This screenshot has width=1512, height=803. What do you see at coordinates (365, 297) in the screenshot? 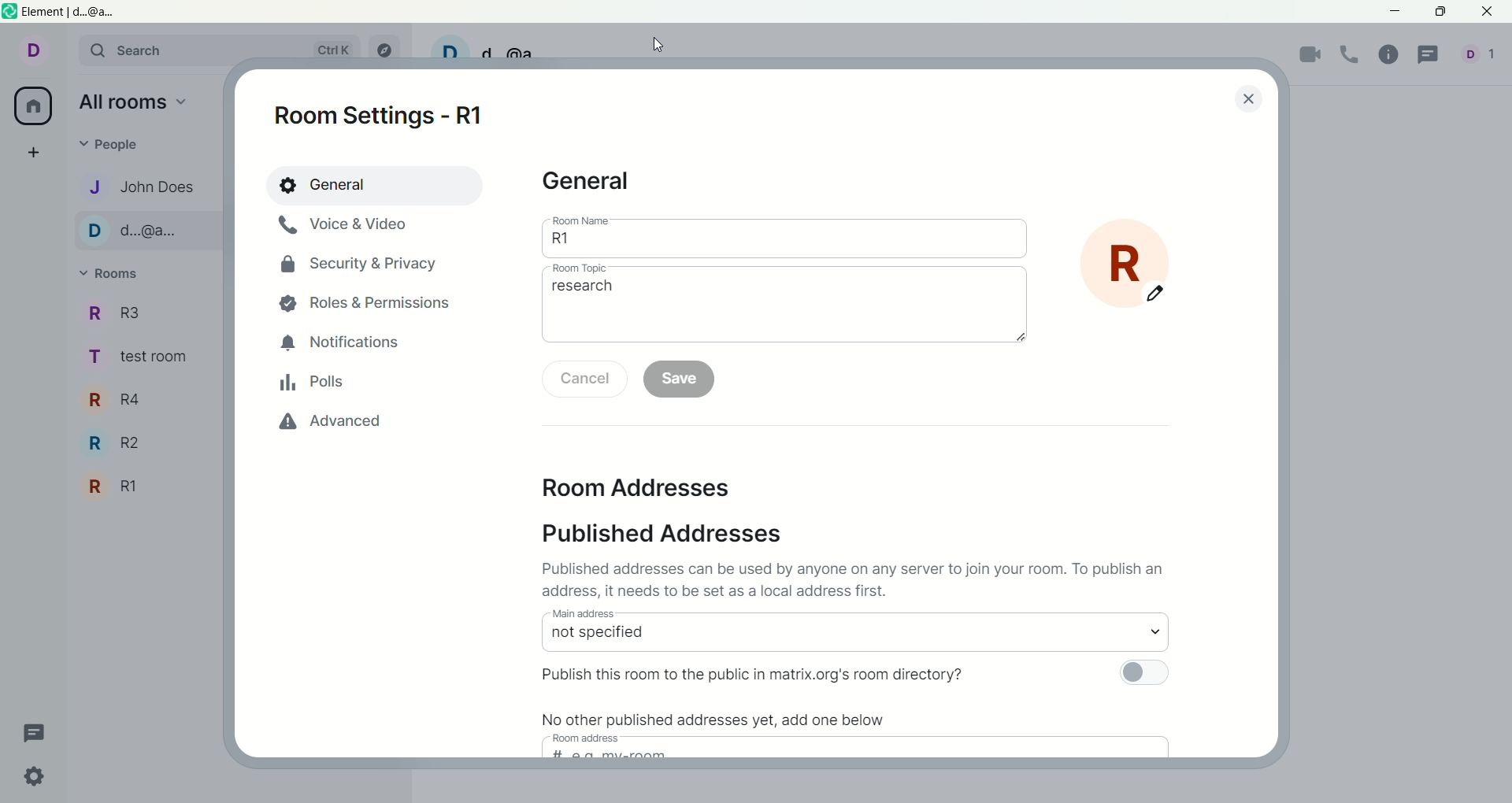
I see `roles and permissions` at bounding box center [365, 297].